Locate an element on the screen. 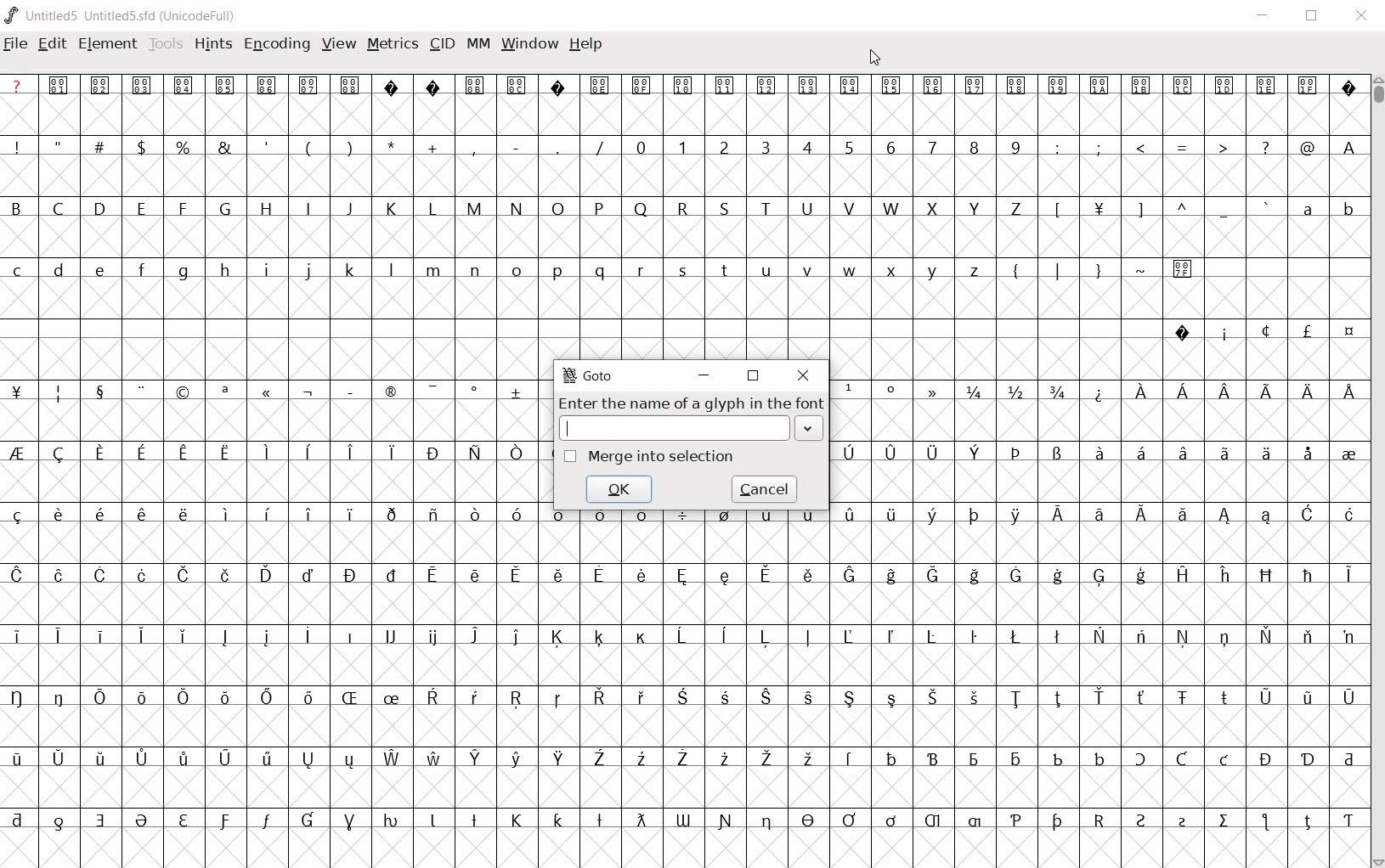  c is located at coordinates (19, 270).